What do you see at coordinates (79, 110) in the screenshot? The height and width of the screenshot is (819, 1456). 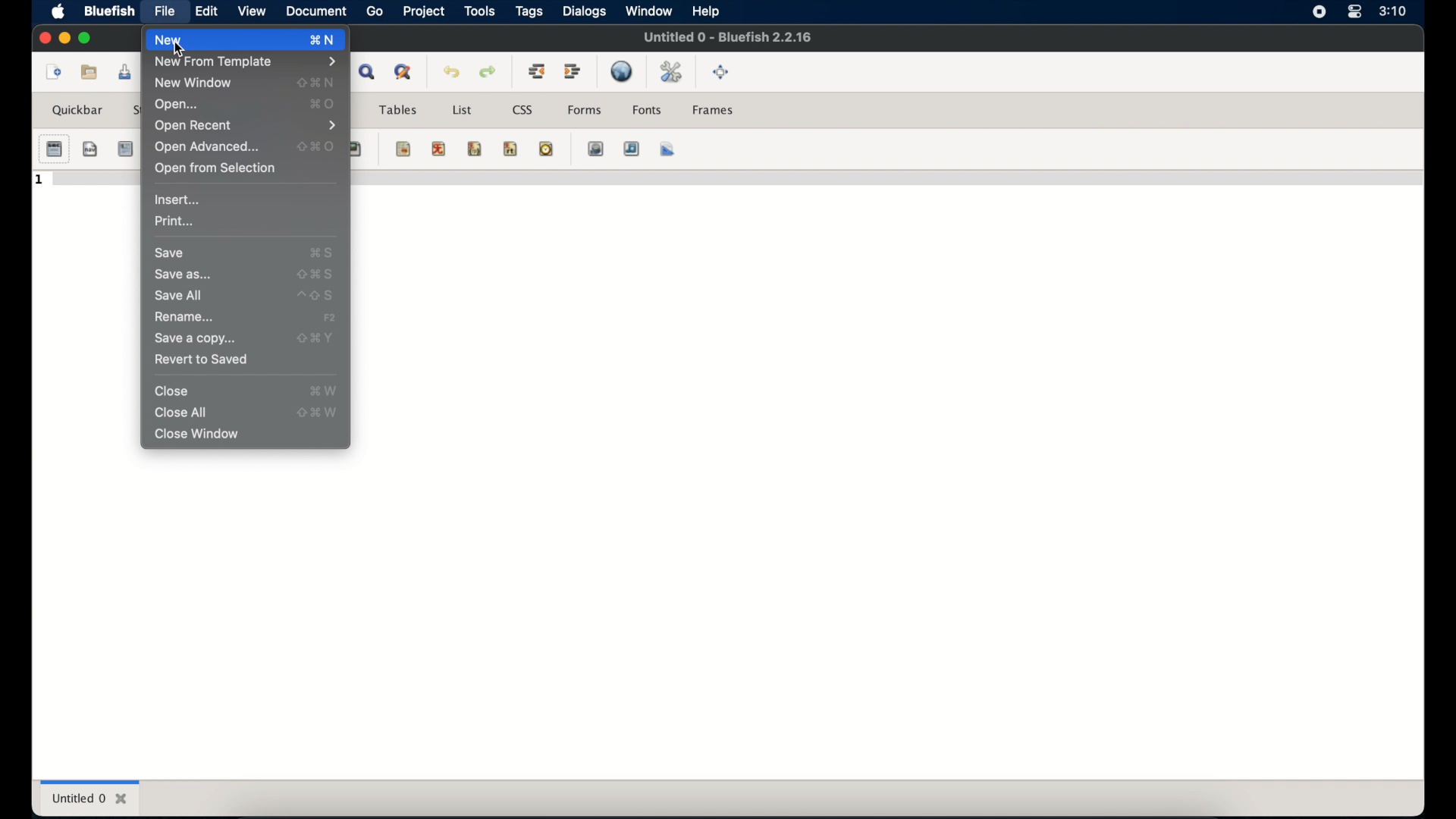 I see `quickbar` at bounding box center [79, 110].